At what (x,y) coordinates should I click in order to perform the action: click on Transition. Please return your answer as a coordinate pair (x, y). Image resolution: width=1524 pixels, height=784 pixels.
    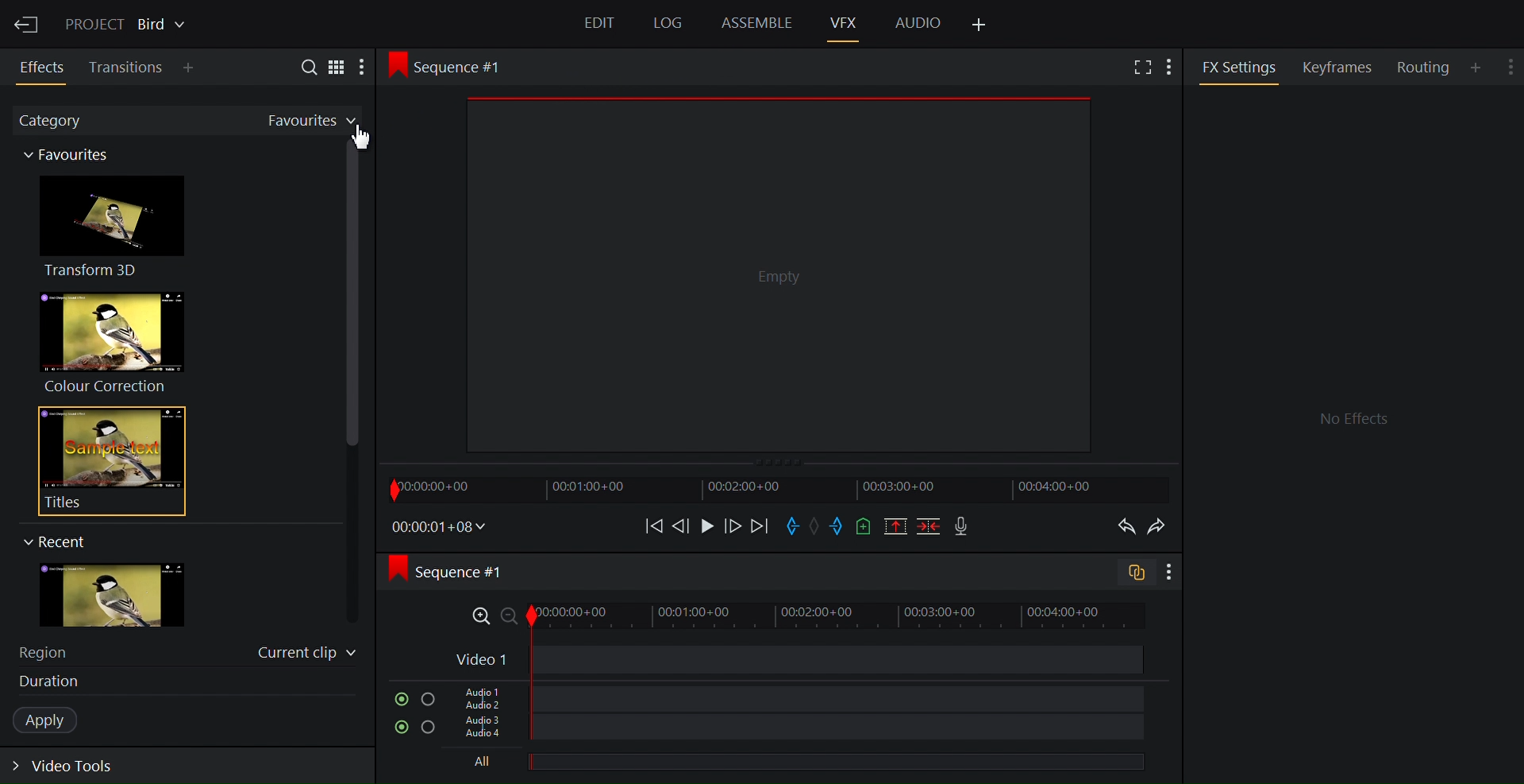
    Looking at the image, I should click on (127, 67).